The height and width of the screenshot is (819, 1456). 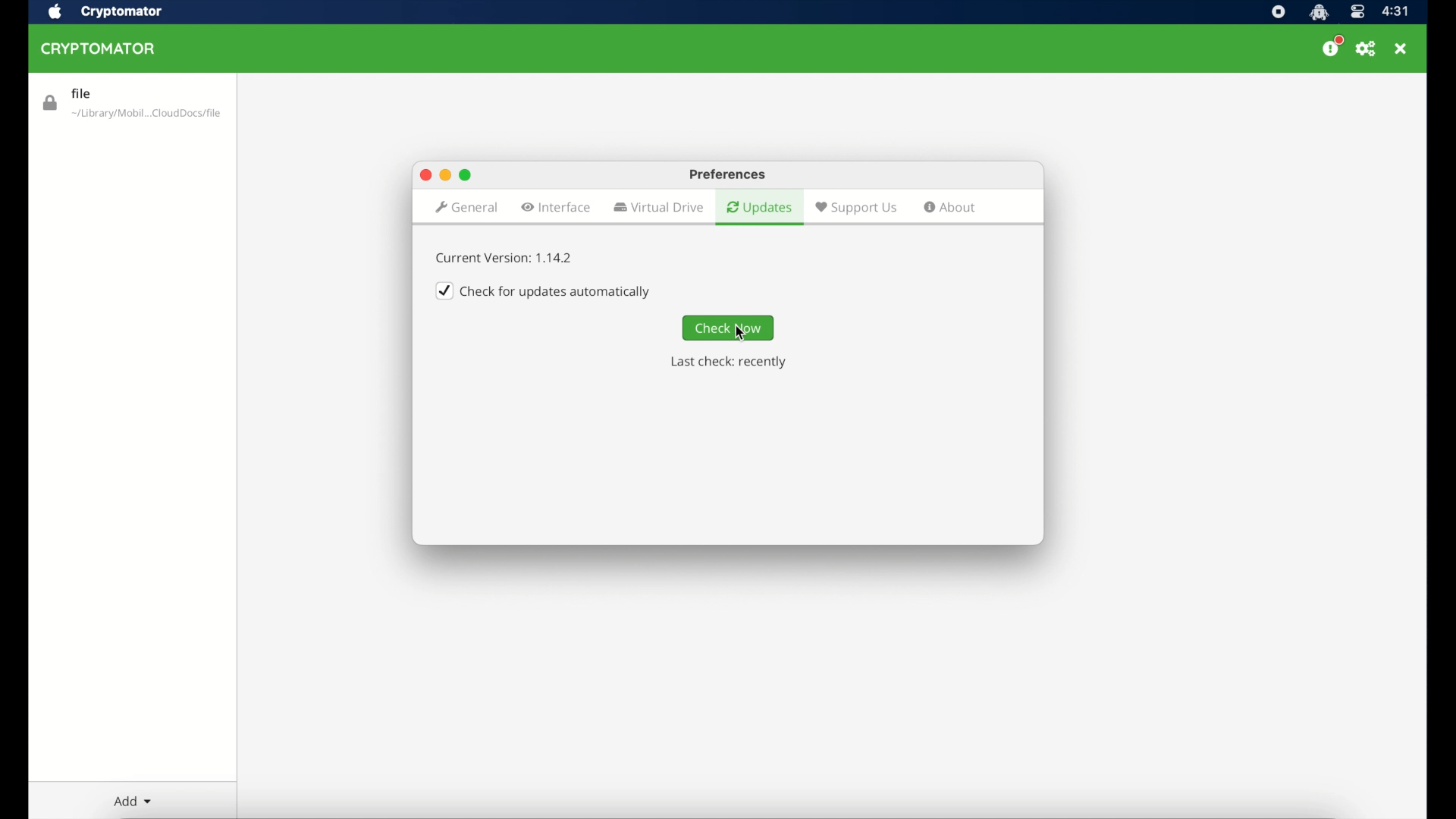 What do you see at coordinates (506, 258) in the screenshot?
I see `current version` at bounding box center [506, 258].